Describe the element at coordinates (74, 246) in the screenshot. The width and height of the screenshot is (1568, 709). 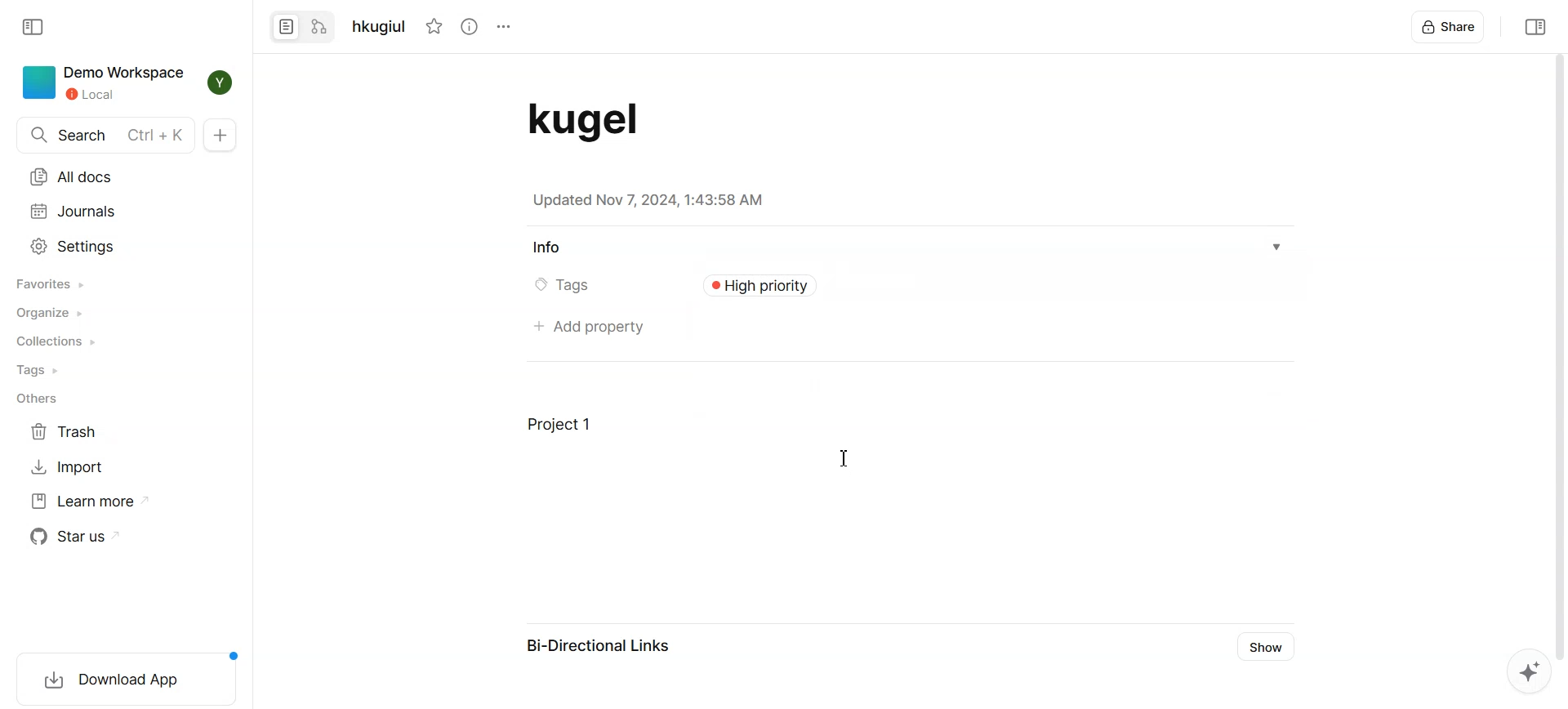
I see `Settings` at that location.